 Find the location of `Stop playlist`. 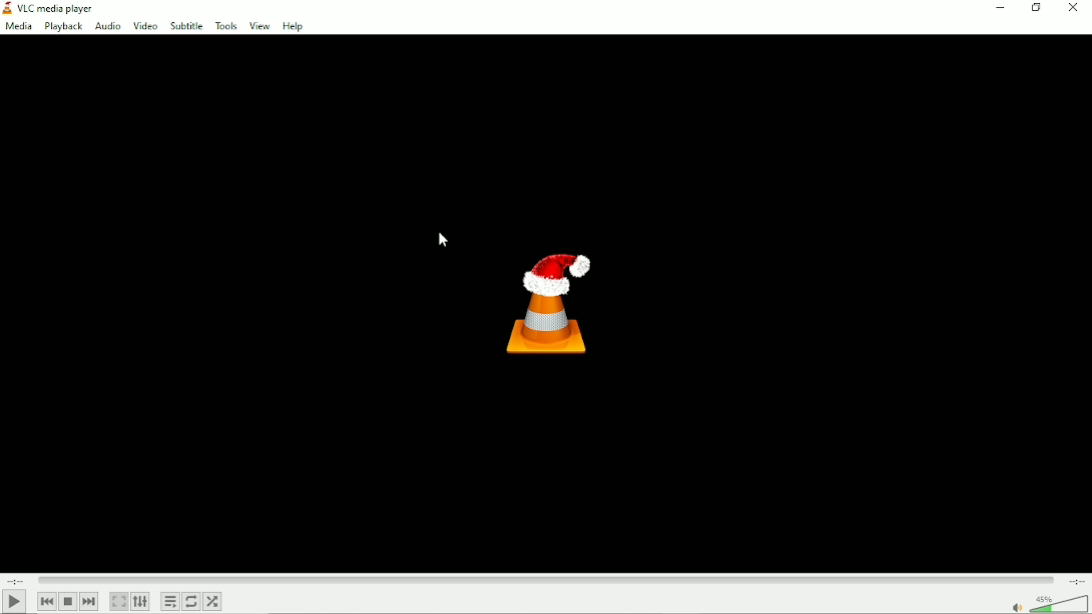

Stop playlist is located at coordinates (68, 602).